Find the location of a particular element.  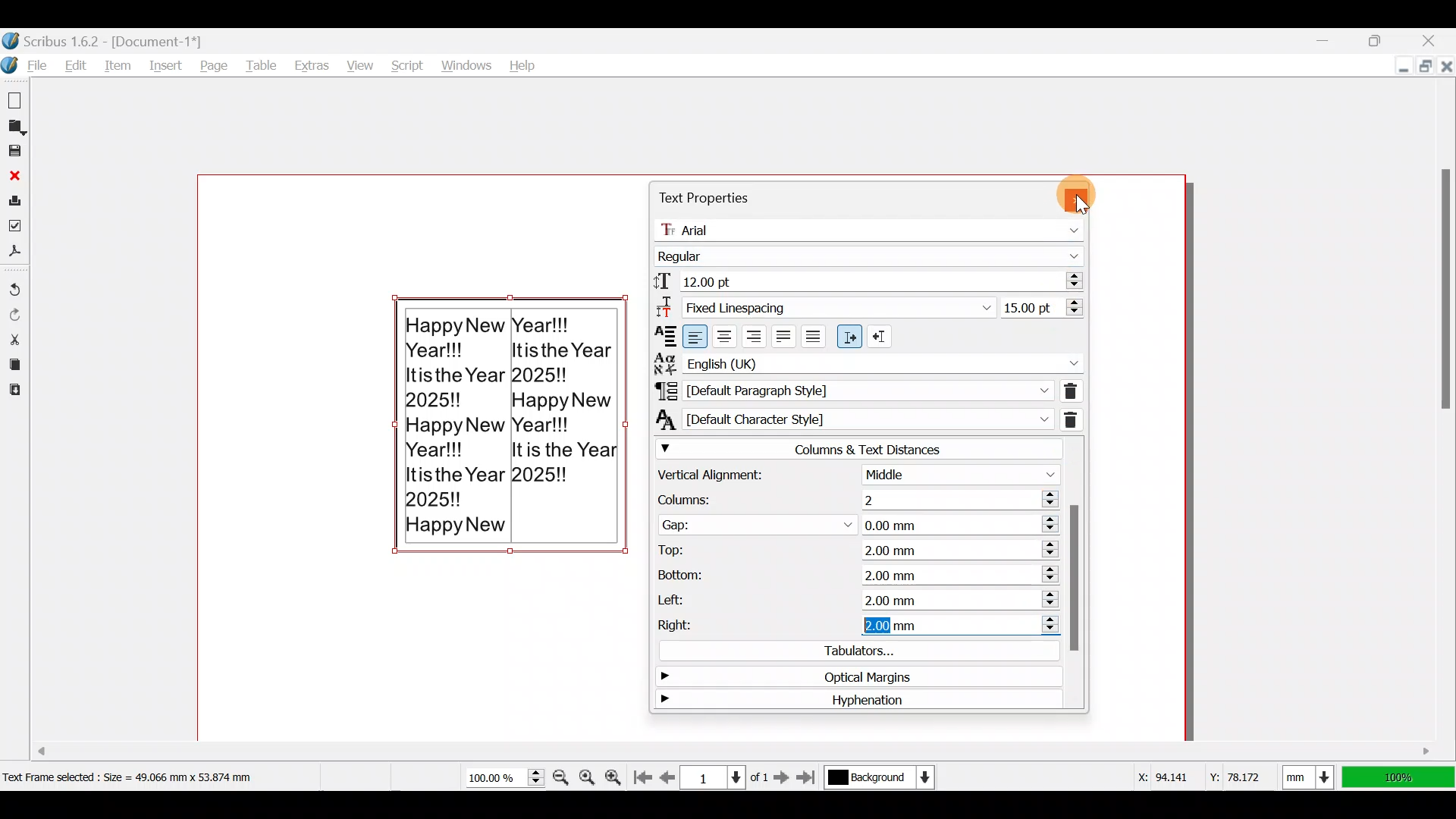

File is located at coordinates (26, 65).